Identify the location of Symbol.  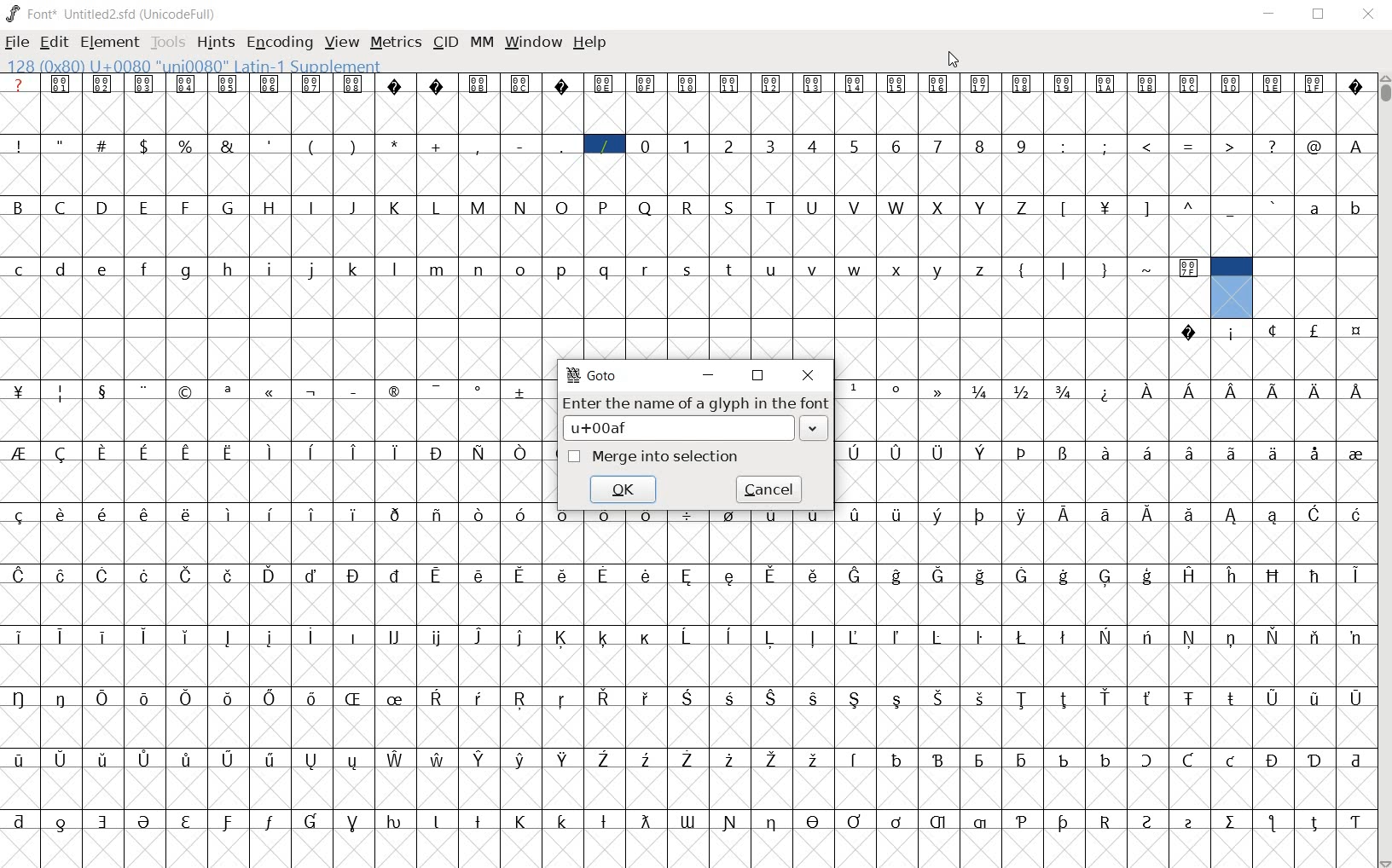
(858, 84).